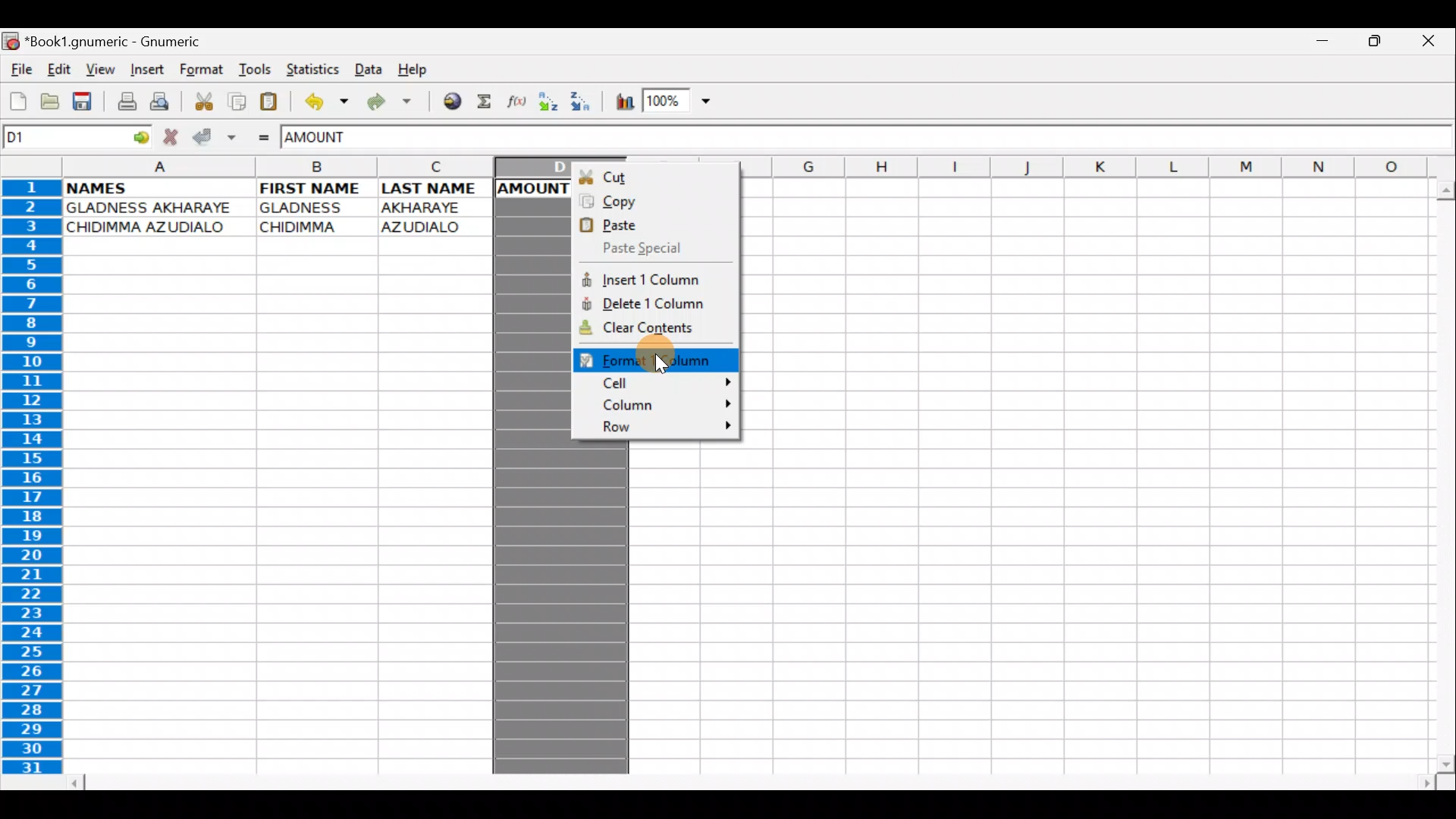 The width and height of the screenshot is (1456, 819). I want to click on Data, so click(368, 68).